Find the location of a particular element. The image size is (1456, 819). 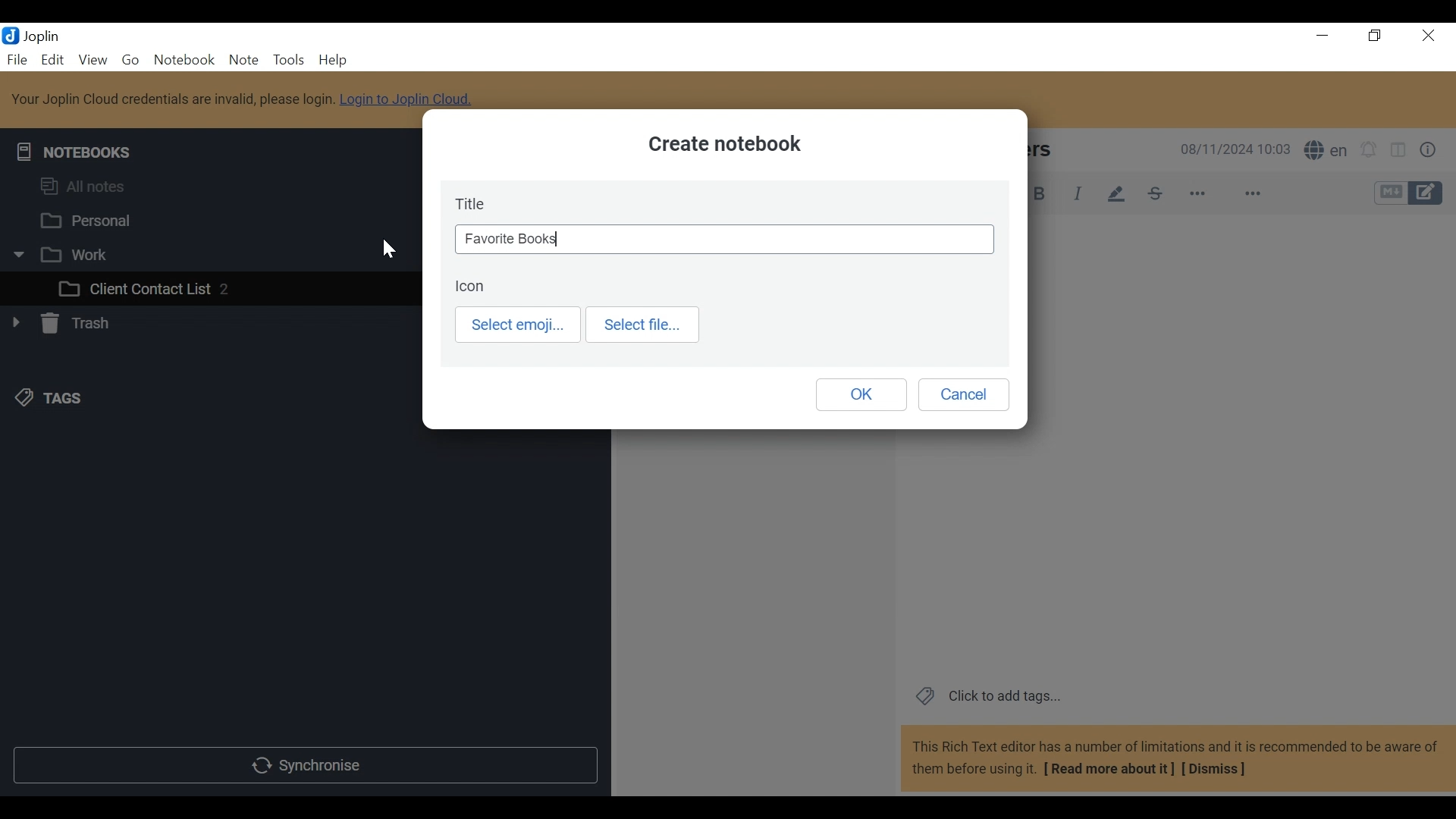

Notebook is located at coordinates (184, 61).